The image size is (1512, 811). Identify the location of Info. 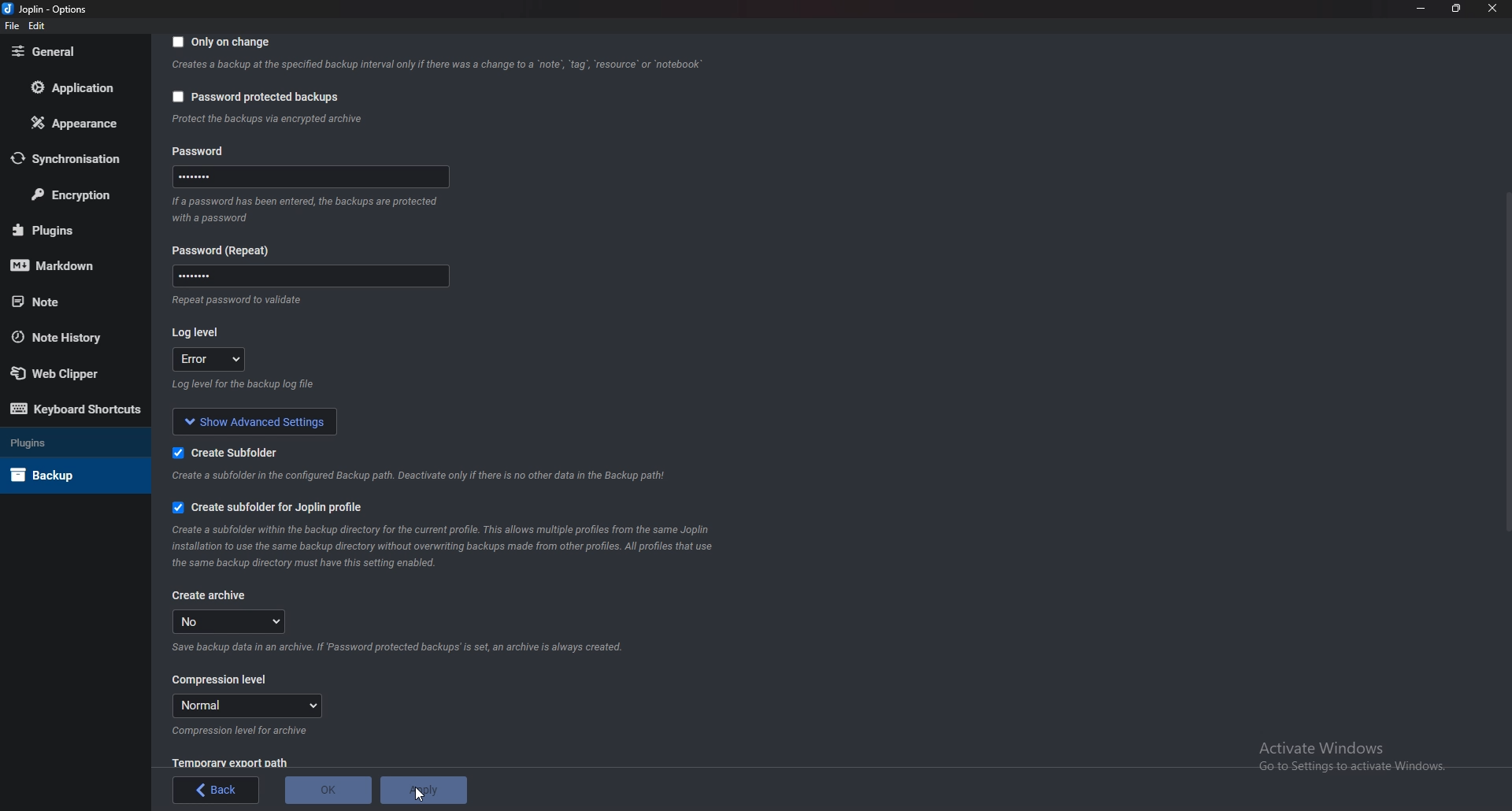
(242, 731).